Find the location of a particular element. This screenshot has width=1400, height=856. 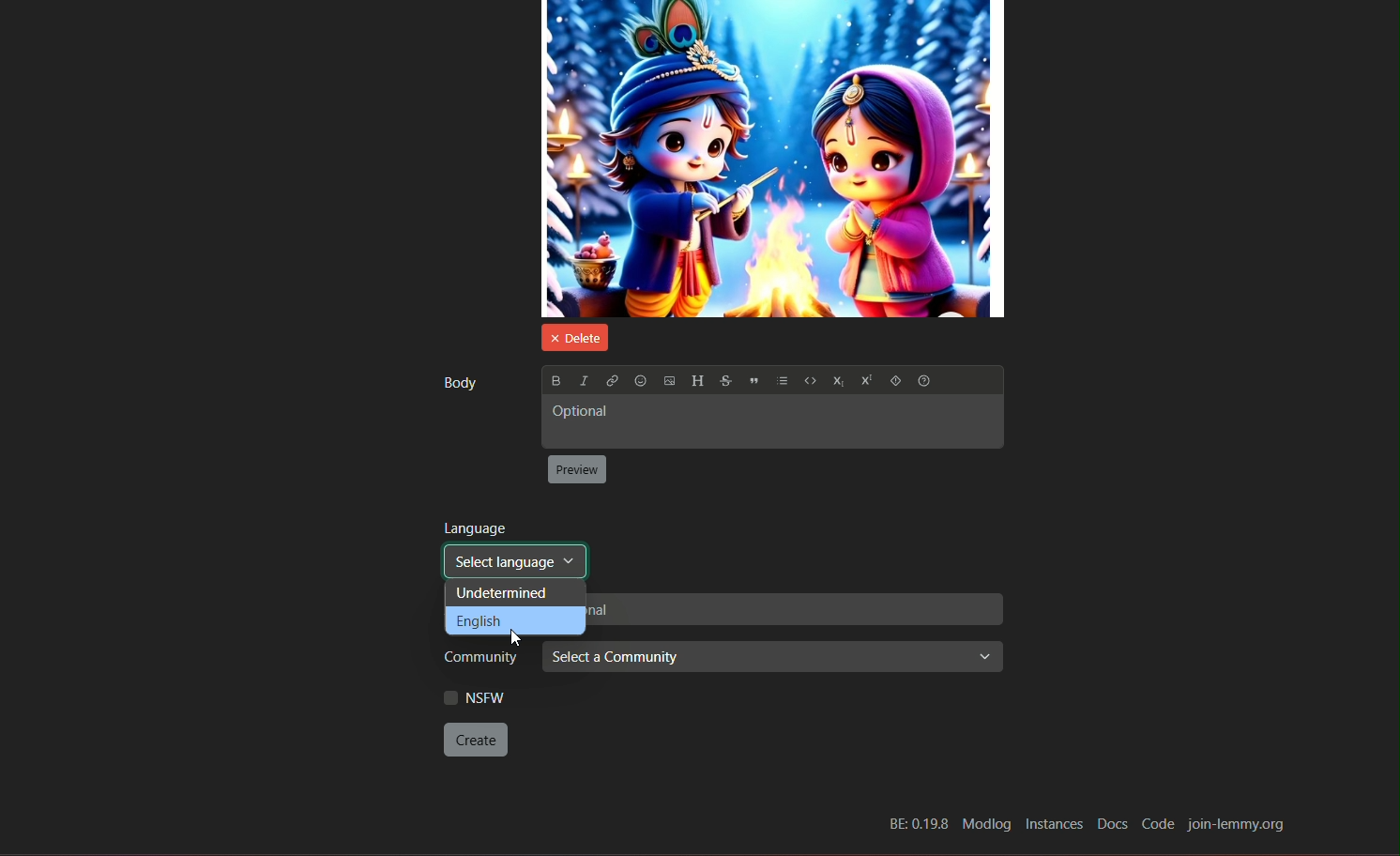

Create is located at coordinates (477, 740).